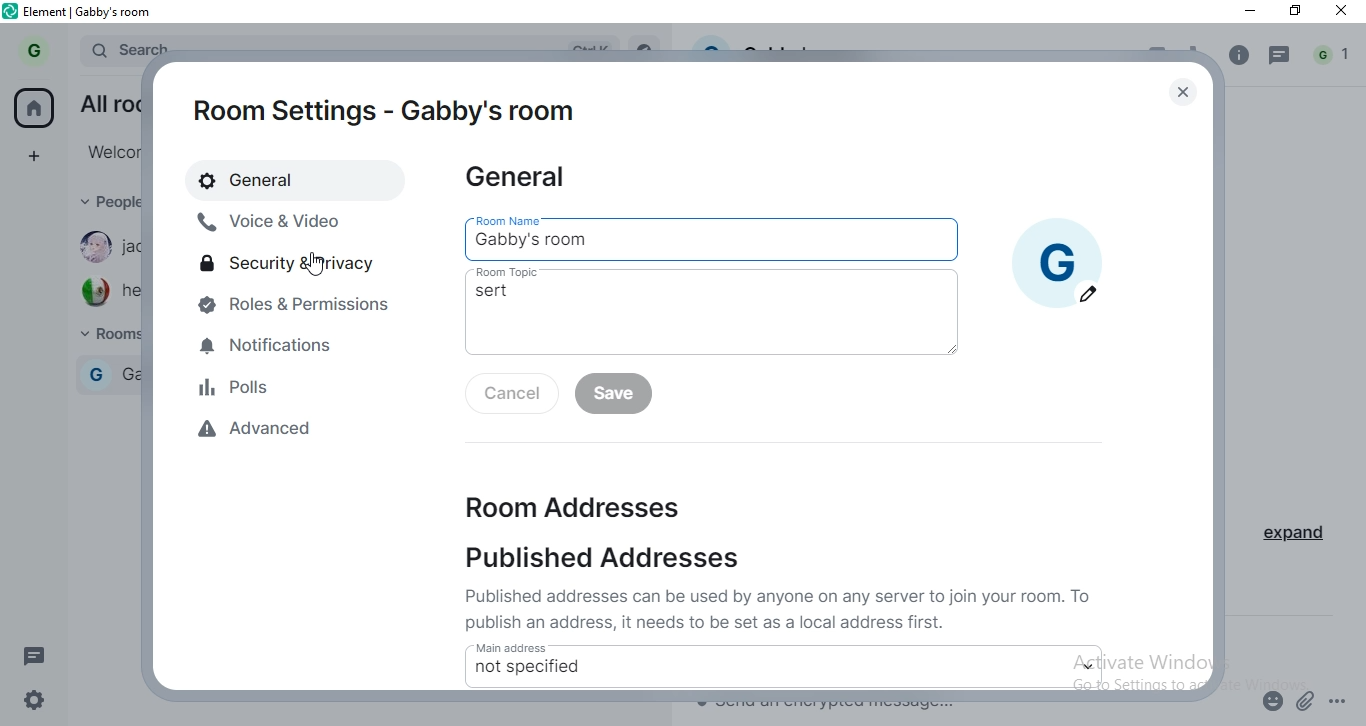  Describe the element at coordinates (383, 112) in the screenshot. I see `room settings - gabby's room` at that location.